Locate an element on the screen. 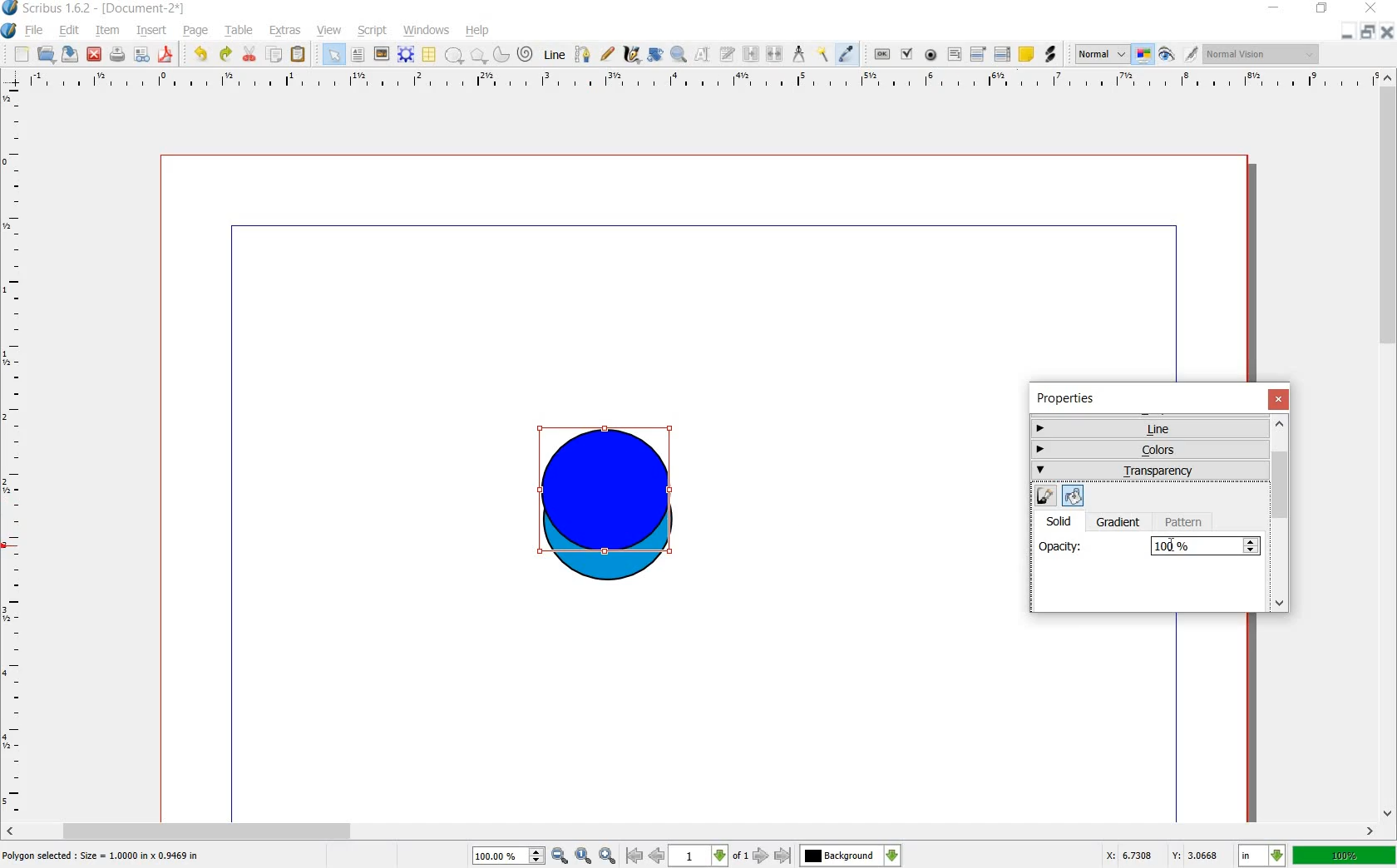  logo is located at coordinates (10, 7).